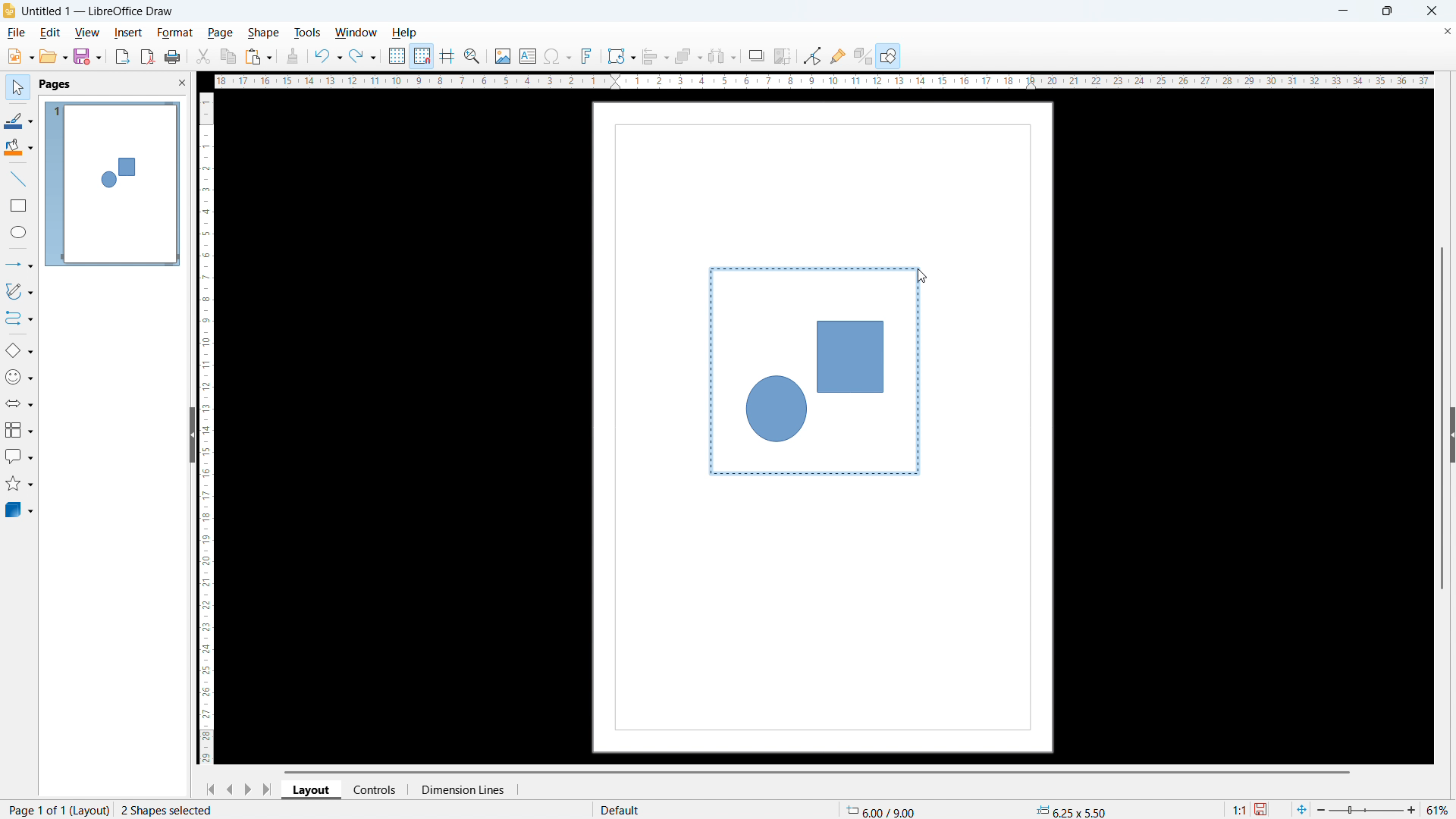 The height and width of the screenshot is (819, 1456). I want to click on snap to grid, so click(422, 55).